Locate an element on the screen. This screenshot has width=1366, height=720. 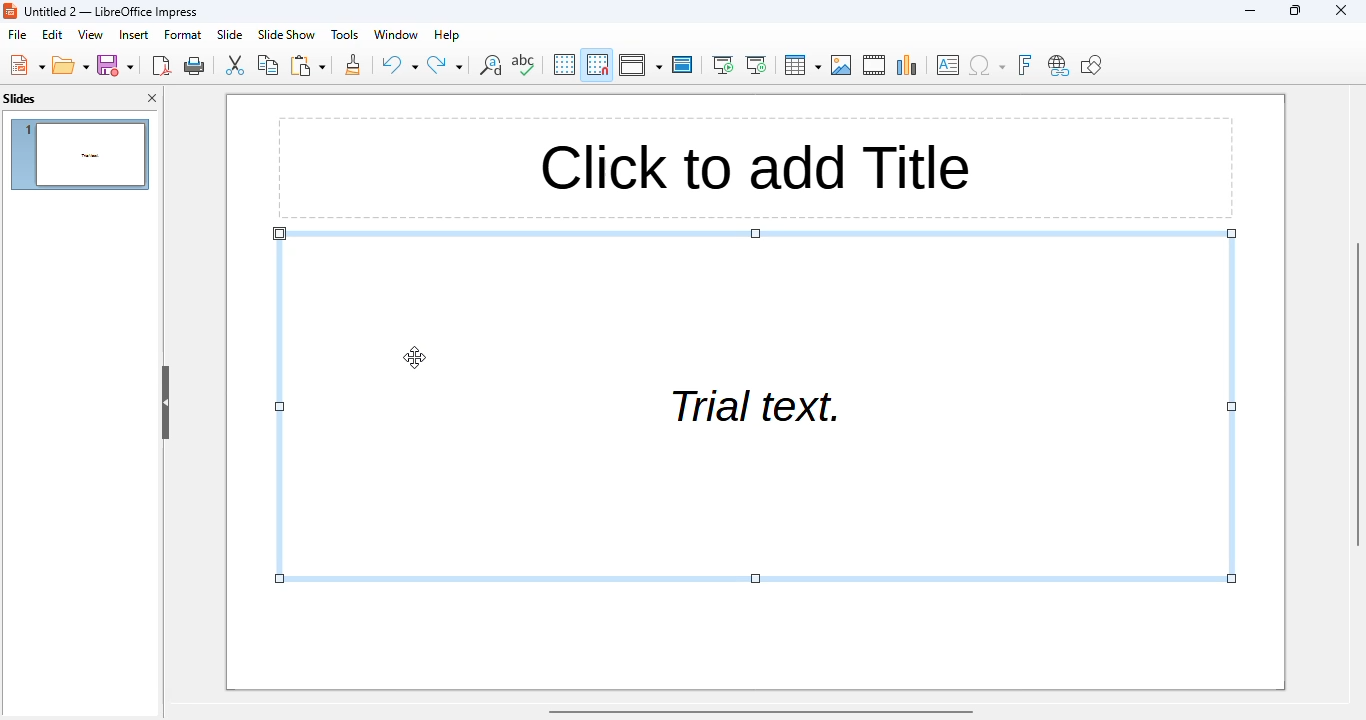
cut is located at coordinates (234, 65).